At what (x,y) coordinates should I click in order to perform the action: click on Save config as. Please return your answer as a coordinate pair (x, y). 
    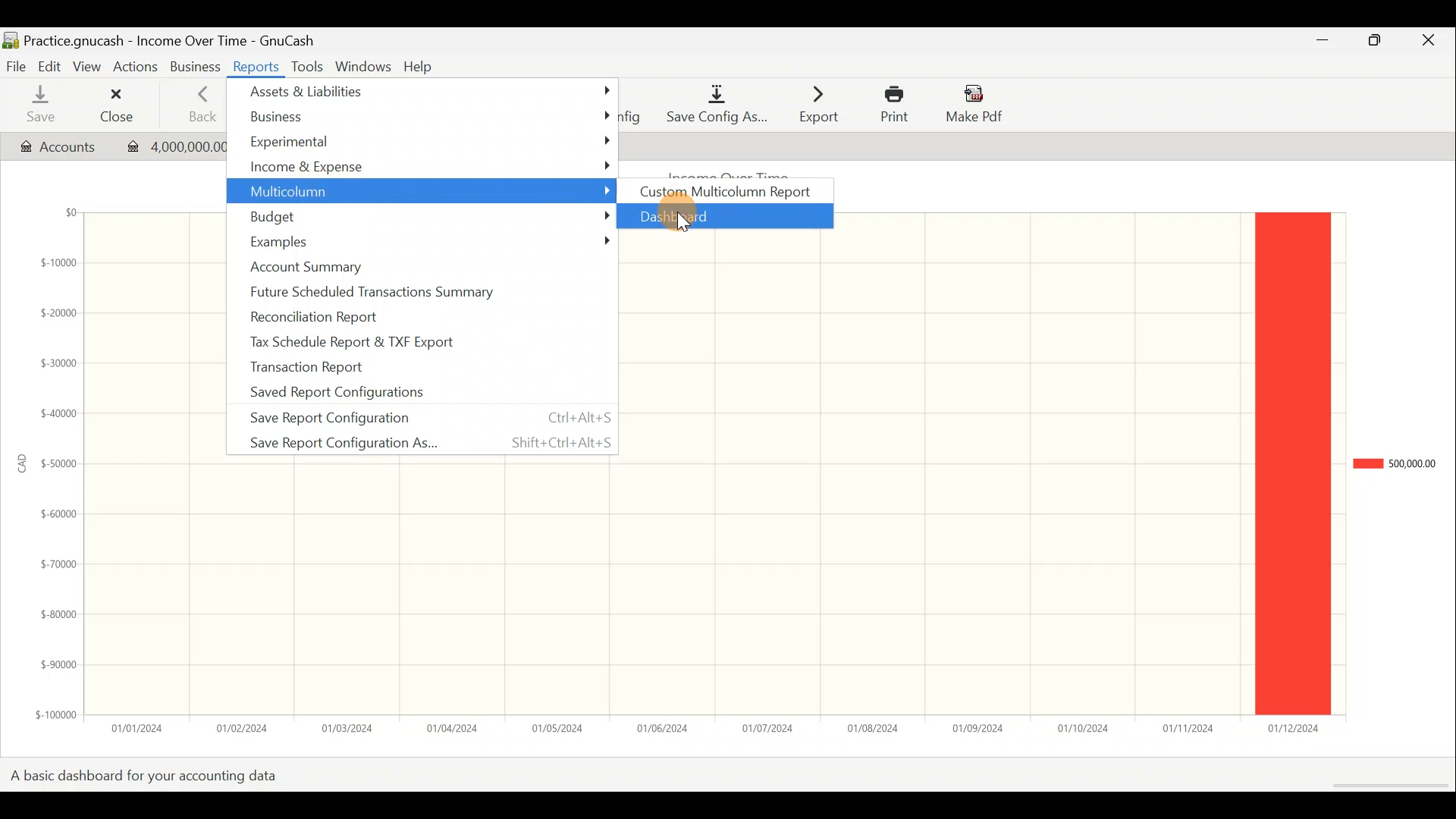
    Looking at the image, I should click on (712, 105).